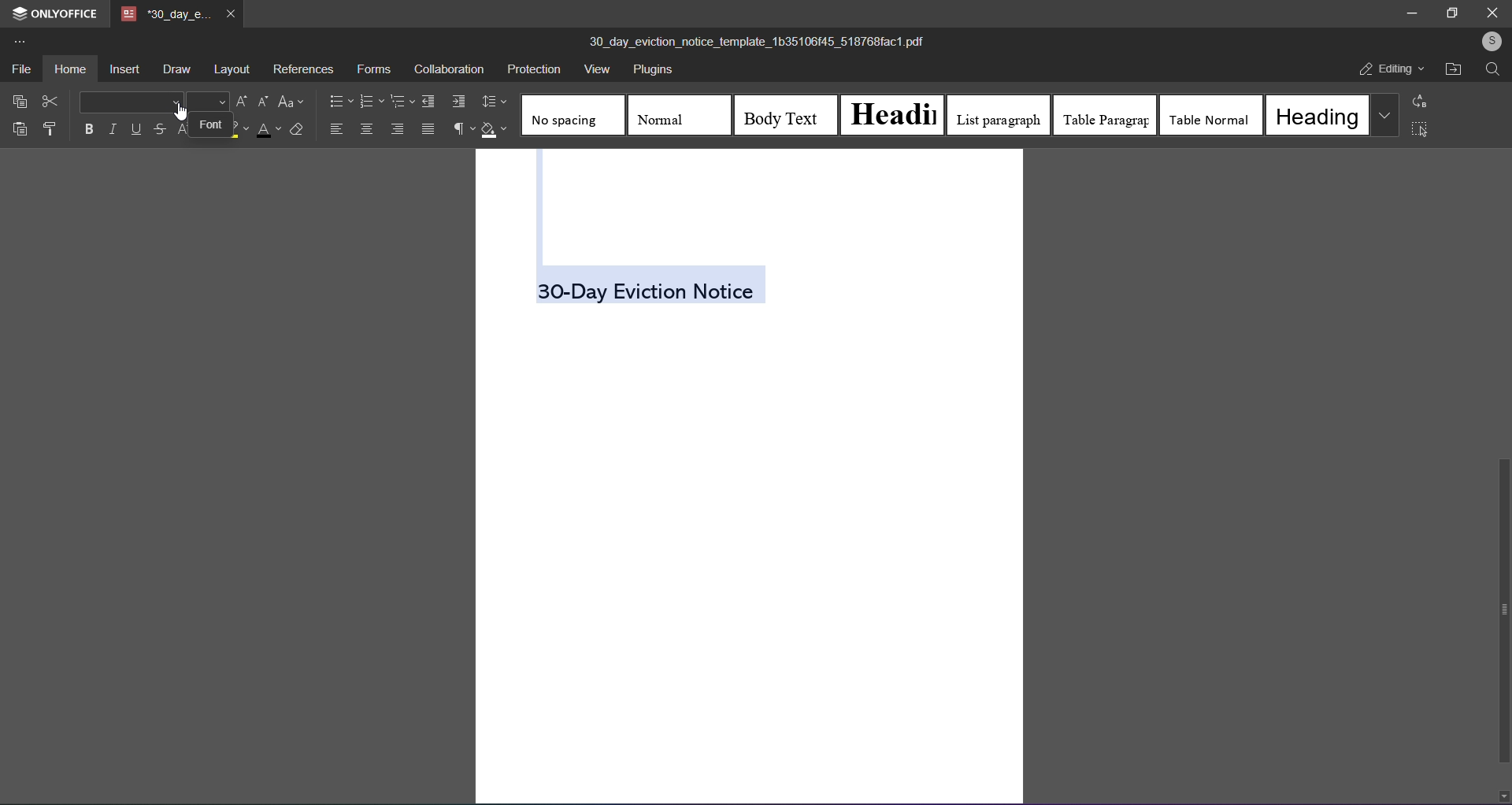 Image resolution: width=1512 pixels, height=805 pixels. I want to click on paste, so click(19, 127).